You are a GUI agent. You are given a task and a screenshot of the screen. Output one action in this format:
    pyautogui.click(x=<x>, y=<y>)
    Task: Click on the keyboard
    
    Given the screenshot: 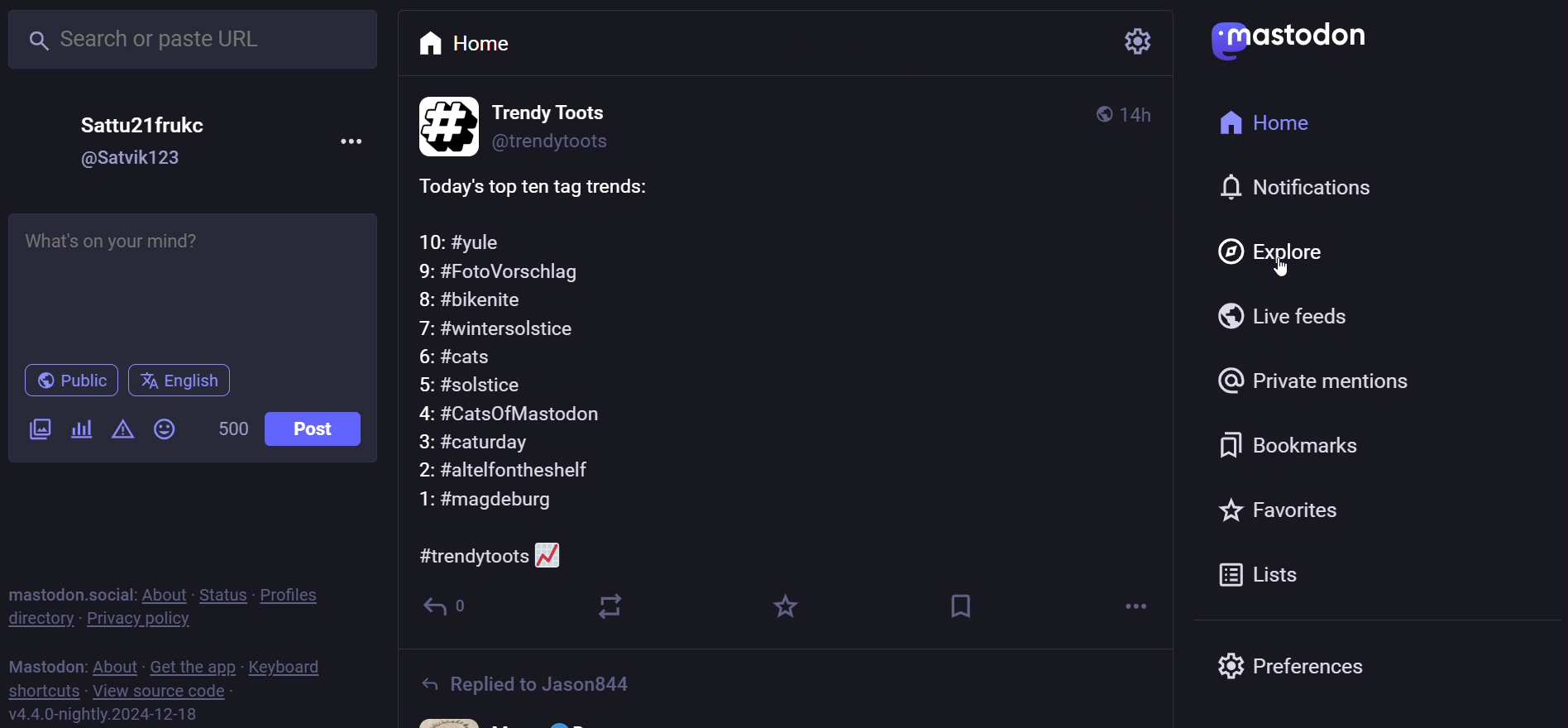 What is the action you would take?
    pyautogui.click(x=288, y=666)
    